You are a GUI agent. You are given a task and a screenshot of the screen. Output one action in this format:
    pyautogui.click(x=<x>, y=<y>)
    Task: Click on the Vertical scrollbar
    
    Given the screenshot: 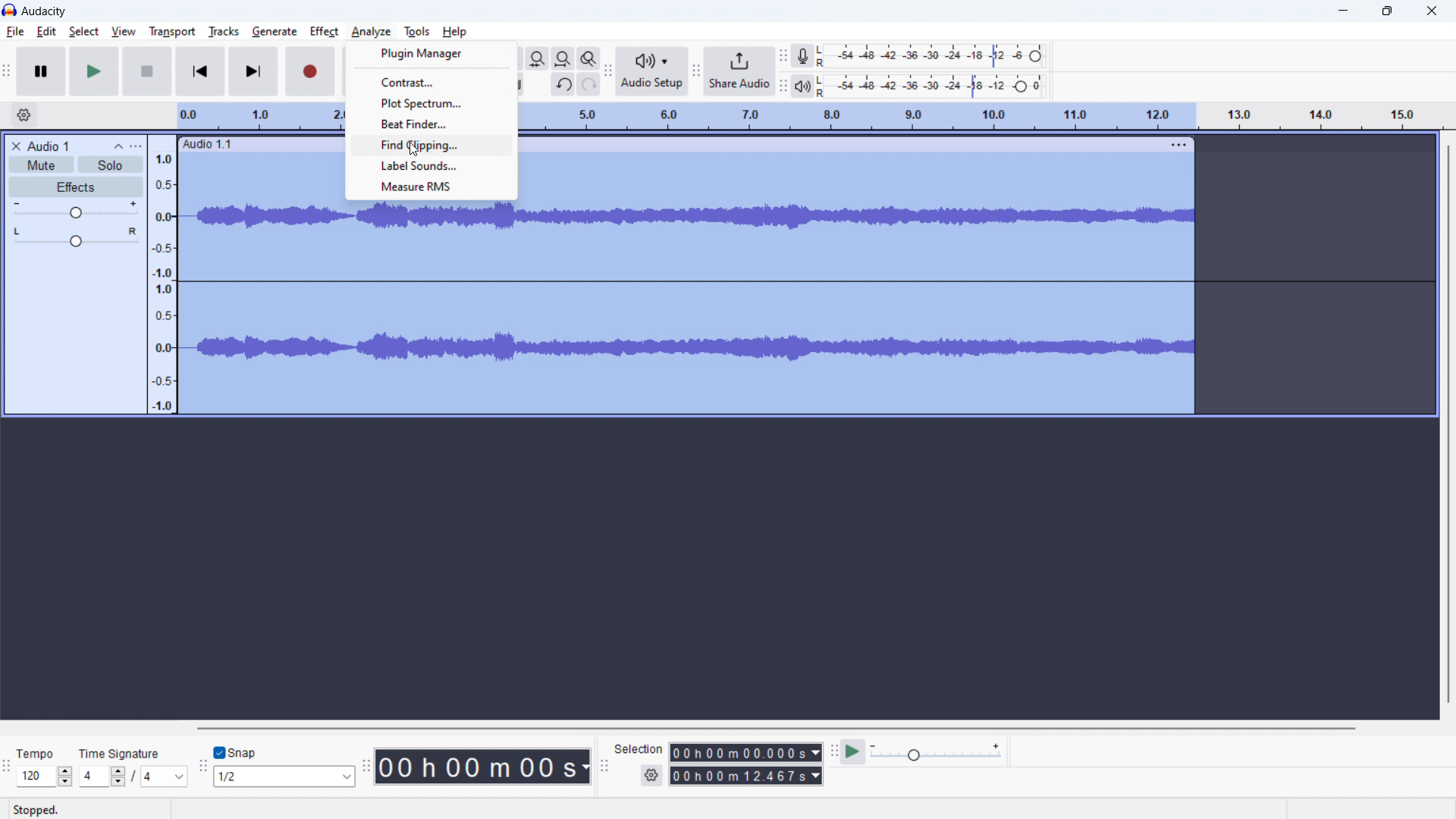 What is the action you would take?
    pyautogui.click(x=1436, y=431)
    